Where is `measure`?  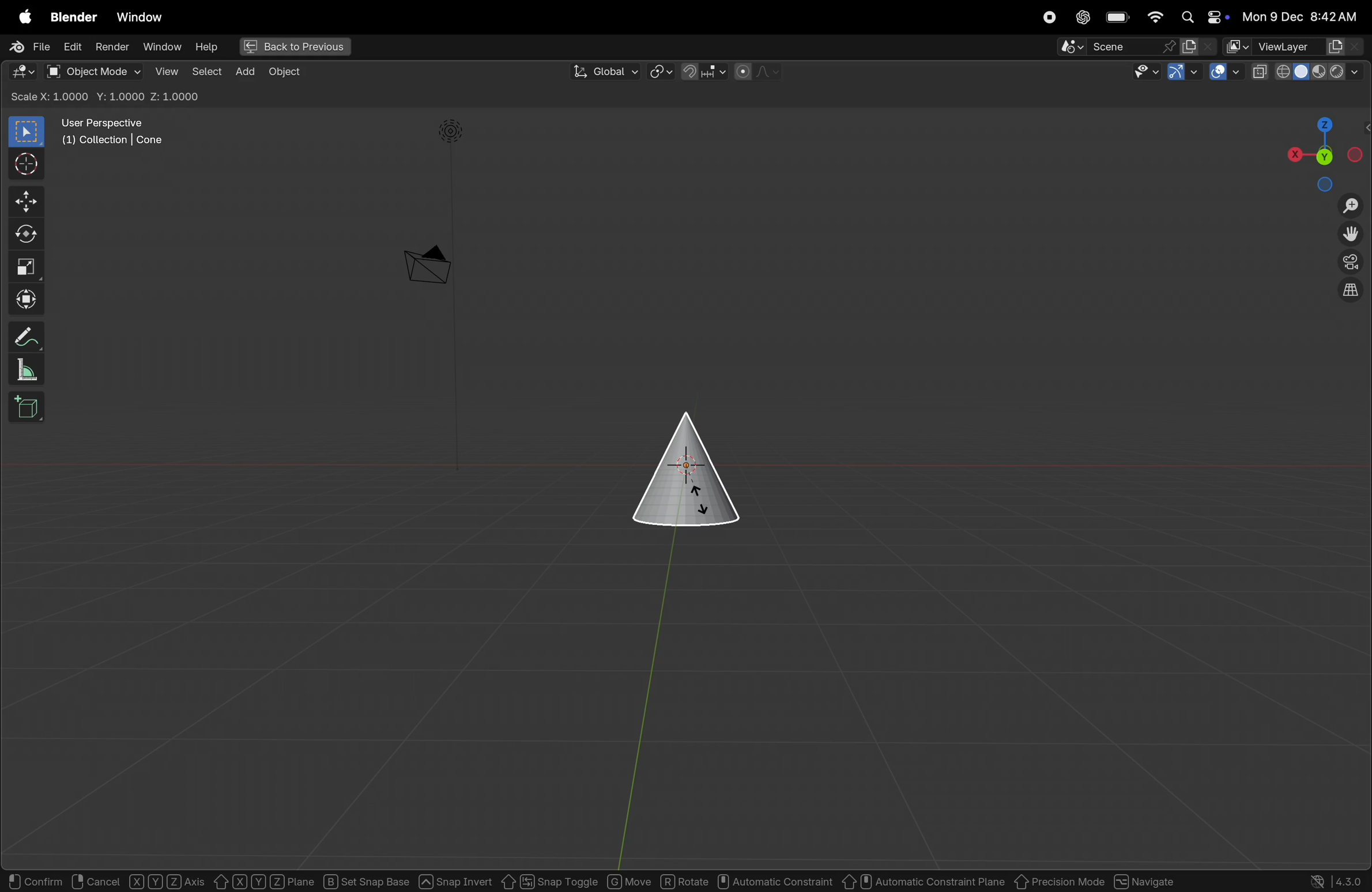 measure is located at coordinates (22, 368).